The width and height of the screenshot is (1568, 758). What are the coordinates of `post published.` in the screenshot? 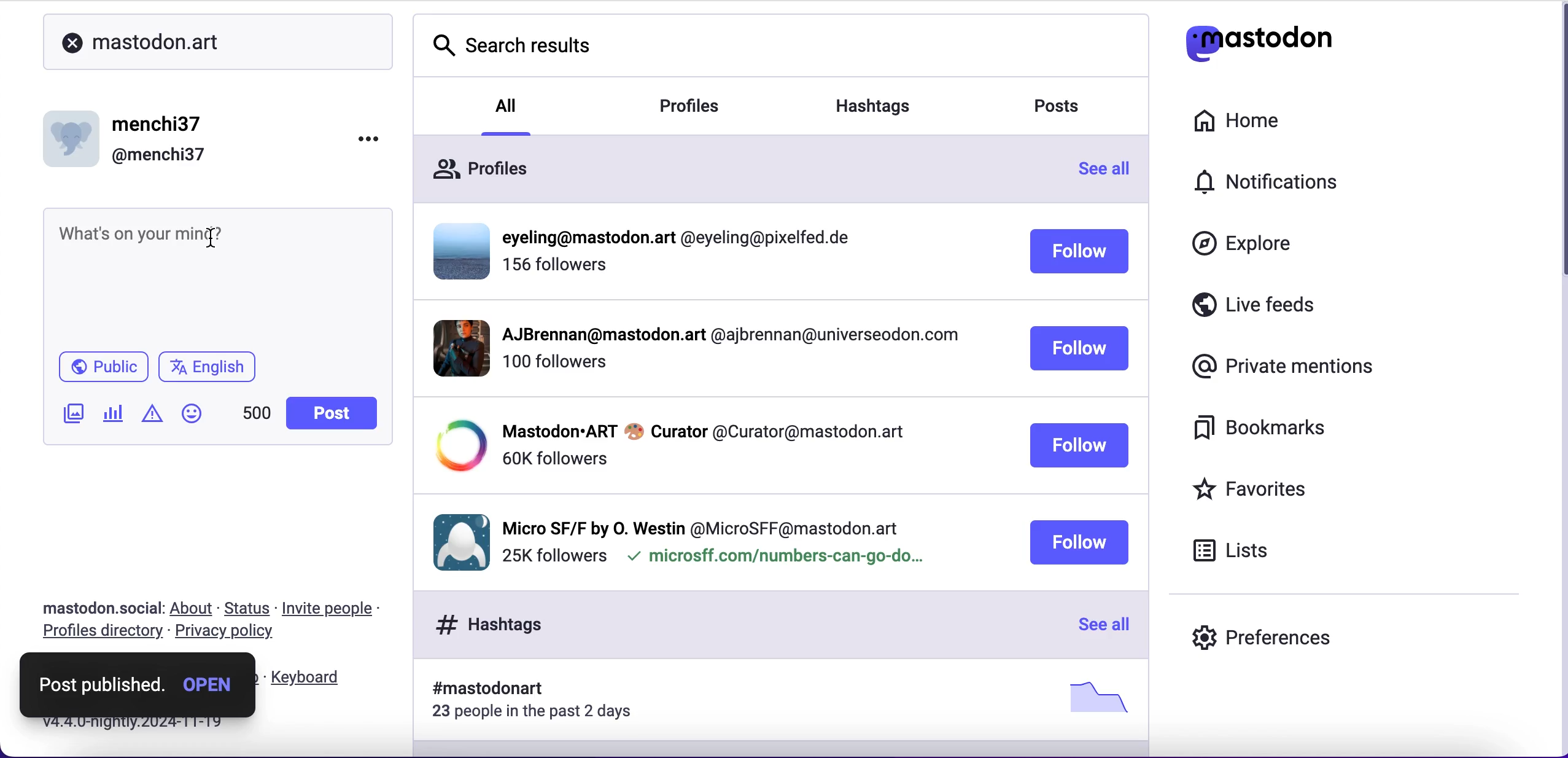 It's located at (98, 685).